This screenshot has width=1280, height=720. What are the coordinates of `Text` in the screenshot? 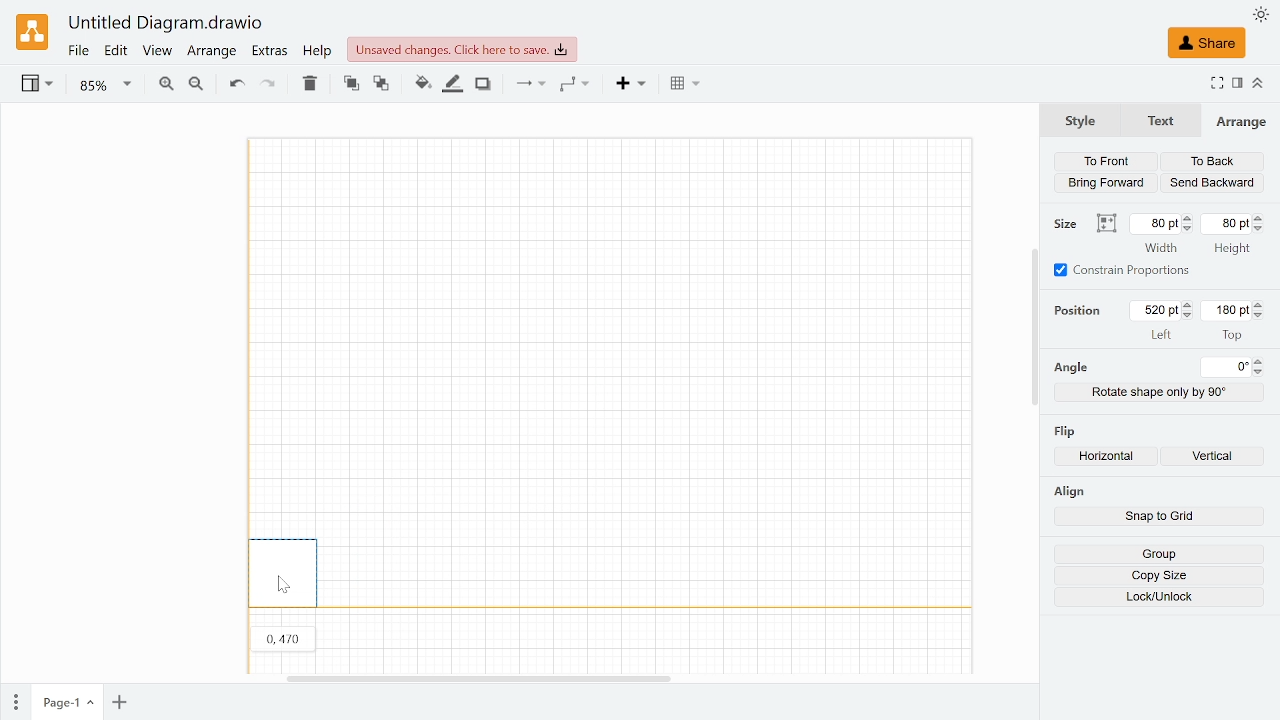 It's located at (1157, 121).